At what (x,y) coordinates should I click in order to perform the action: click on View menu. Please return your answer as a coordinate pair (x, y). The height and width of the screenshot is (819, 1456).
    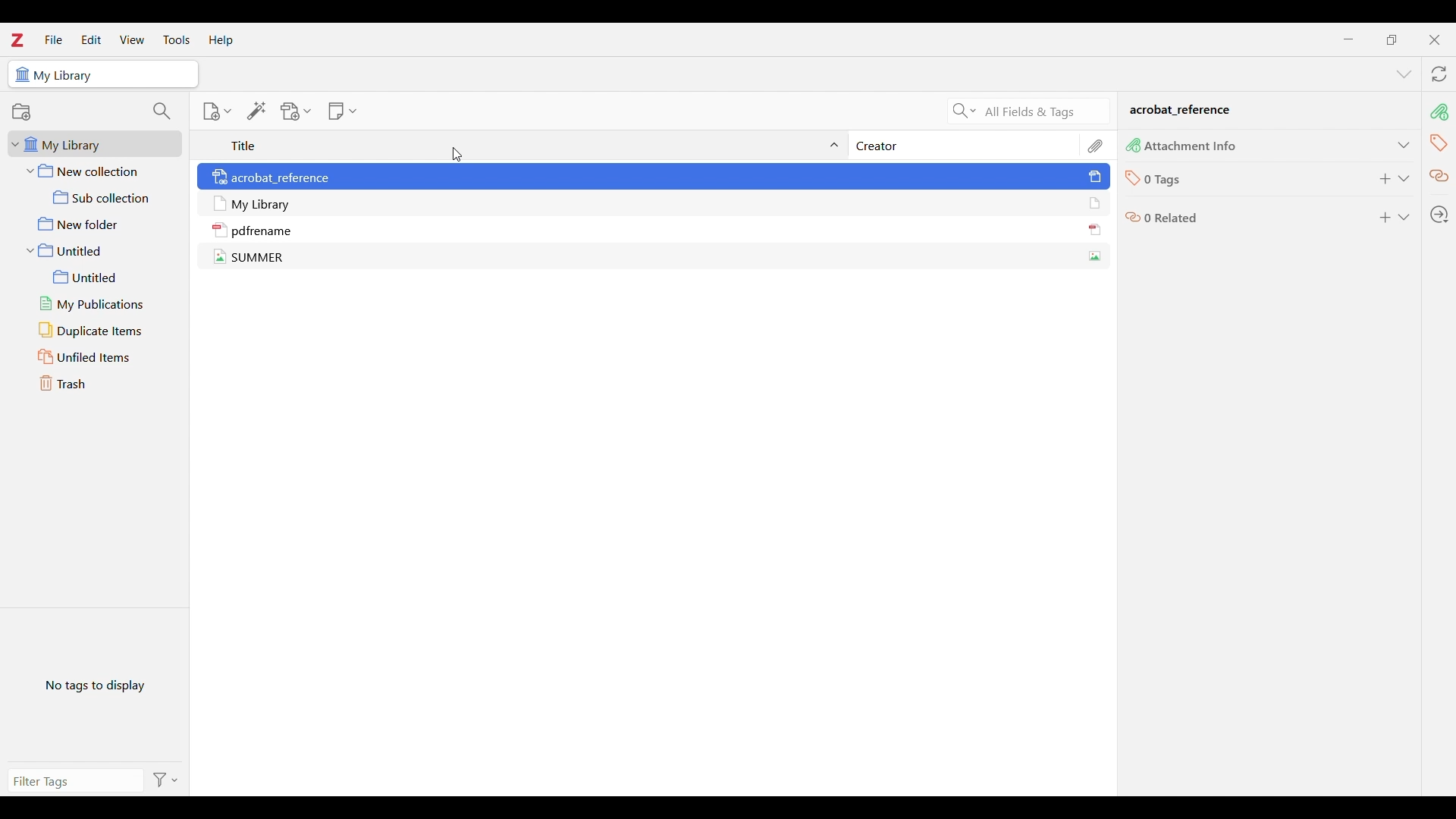
    Looking at the image, I should click on (132, 39).